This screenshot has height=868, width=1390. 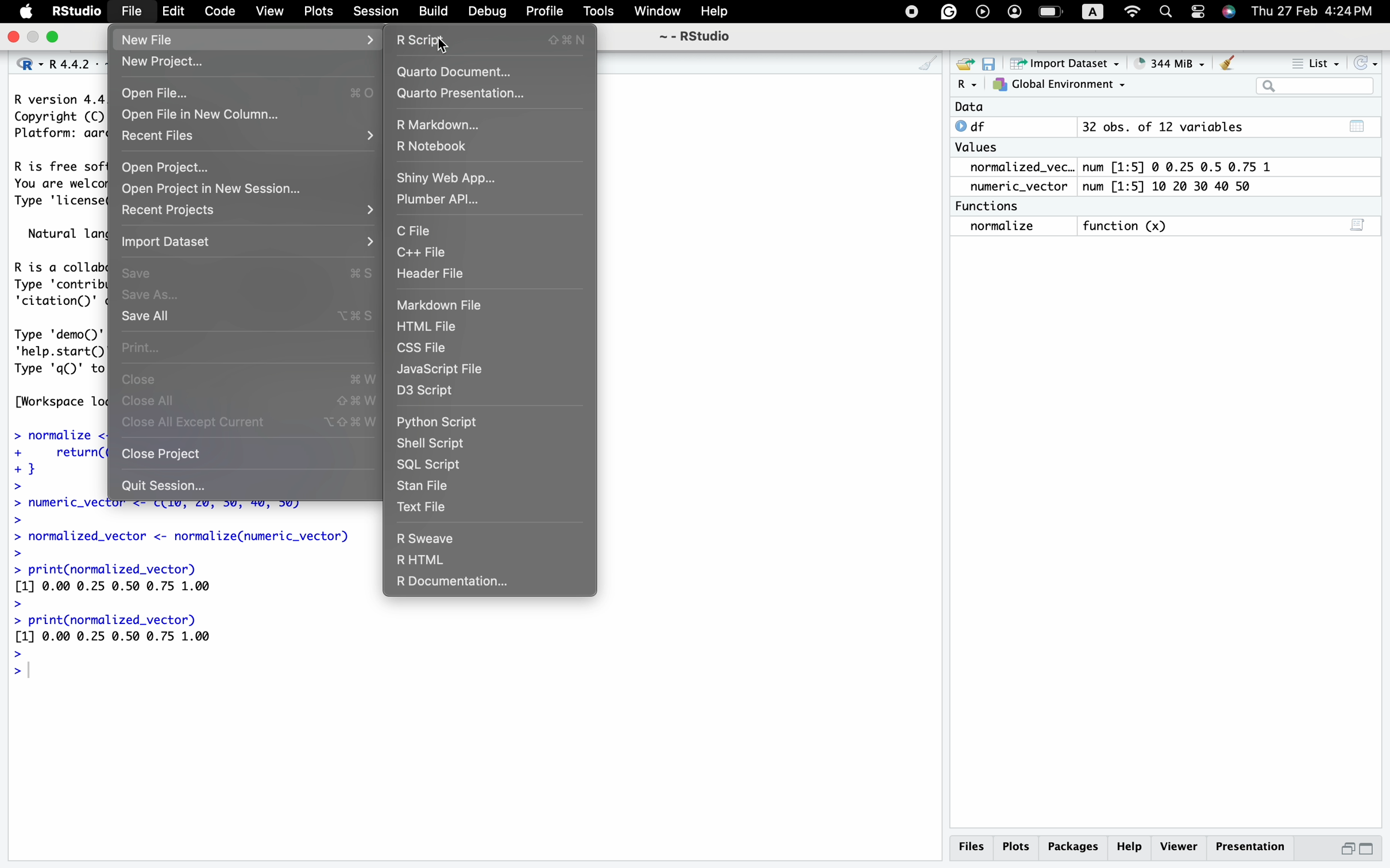 What do you see at coordinates (1179, 847) in the screenshot?
I see `Viewer` at bounding box center [1179, 847].